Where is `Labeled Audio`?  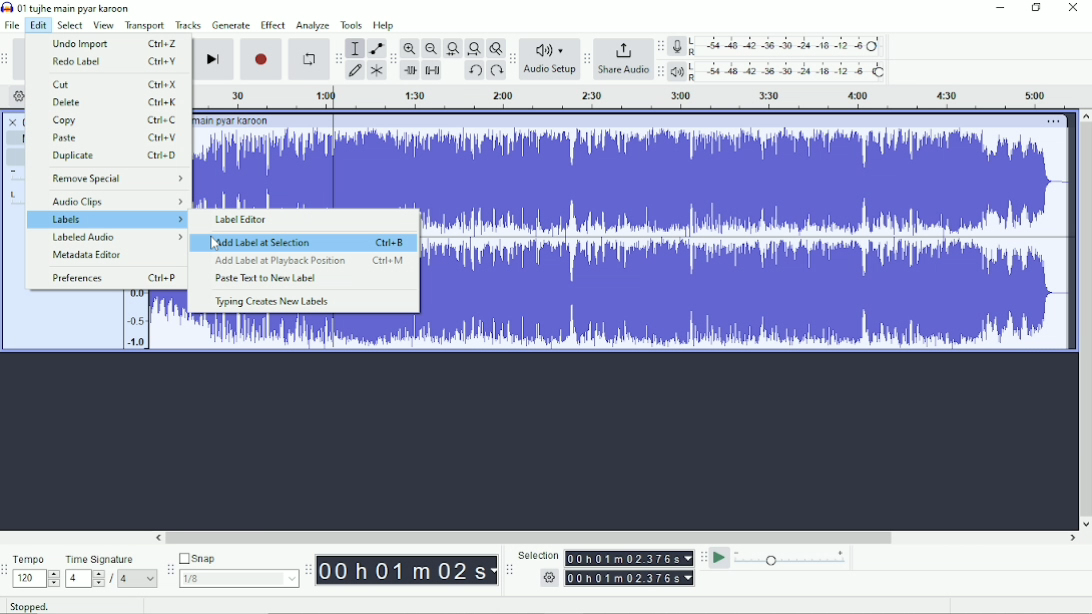 Labeled Audio is located at coordinates (117, 238).